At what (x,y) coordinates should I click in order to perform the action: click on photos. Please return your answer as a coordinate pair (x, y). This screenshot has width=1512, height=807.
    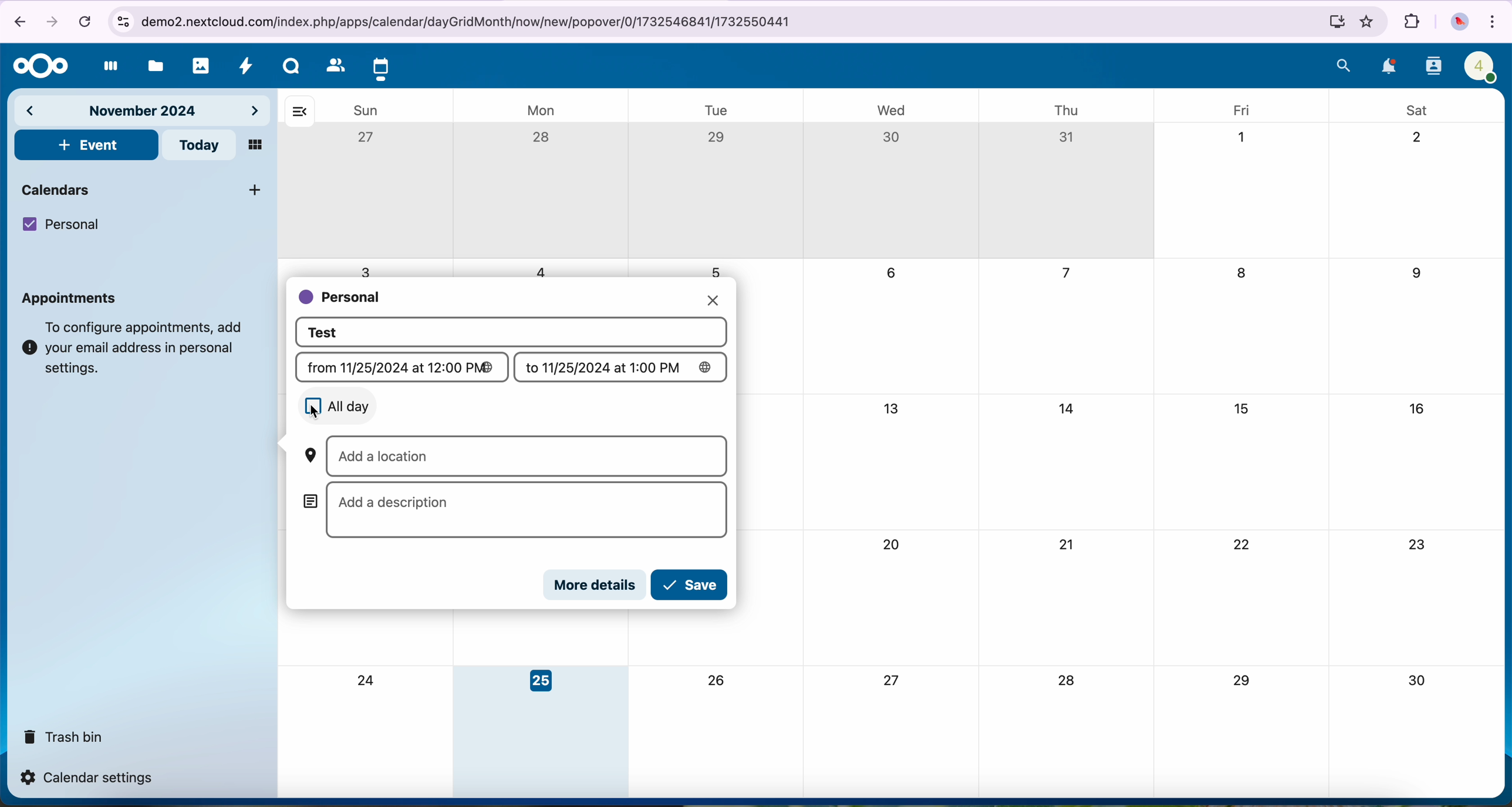
    Looking at the image, I should click on (201, 66).